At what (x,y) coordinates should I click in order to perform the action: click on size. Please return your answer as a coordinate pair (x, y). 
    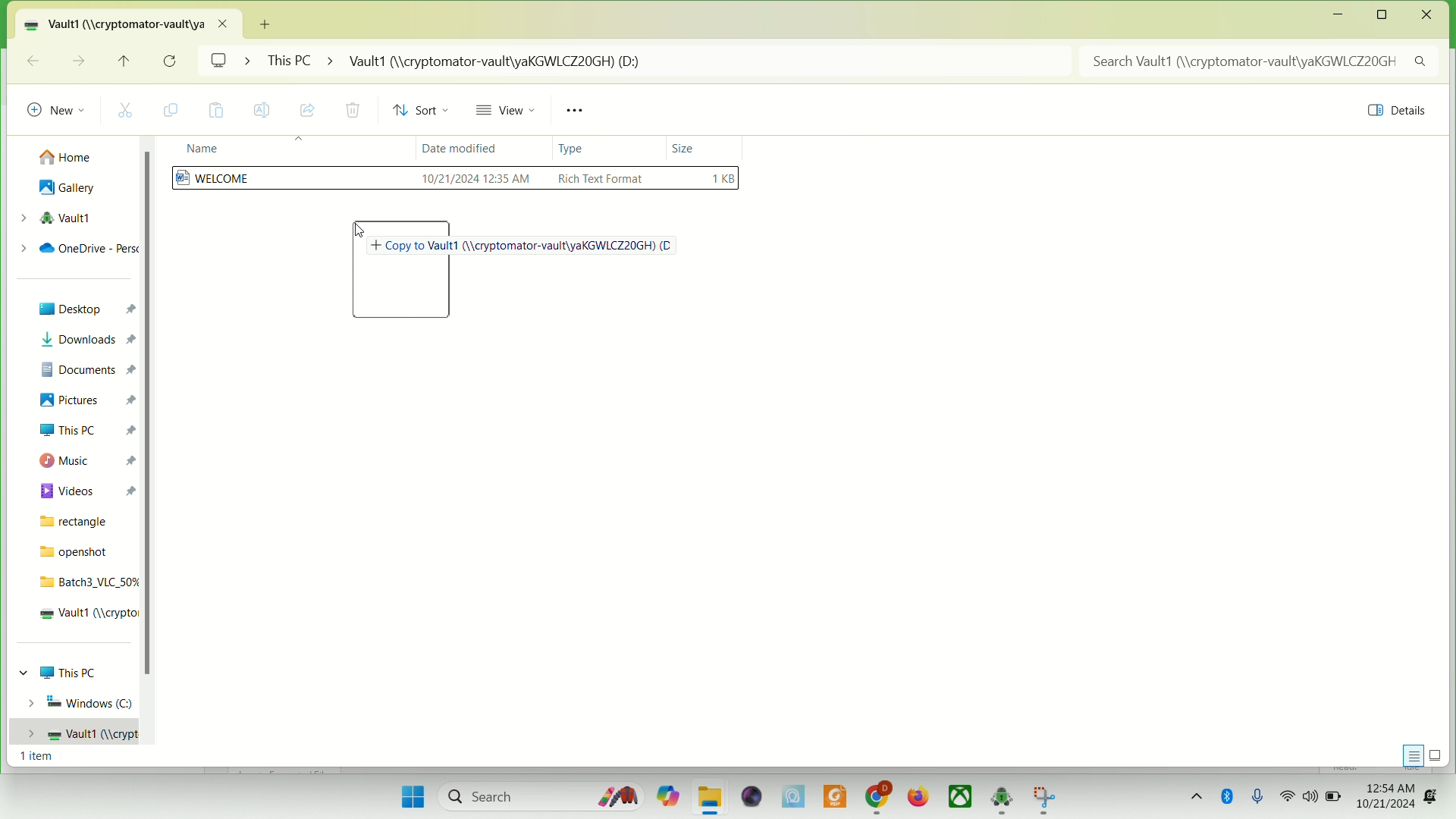
    Looking at the image, I should click on (684, 146).